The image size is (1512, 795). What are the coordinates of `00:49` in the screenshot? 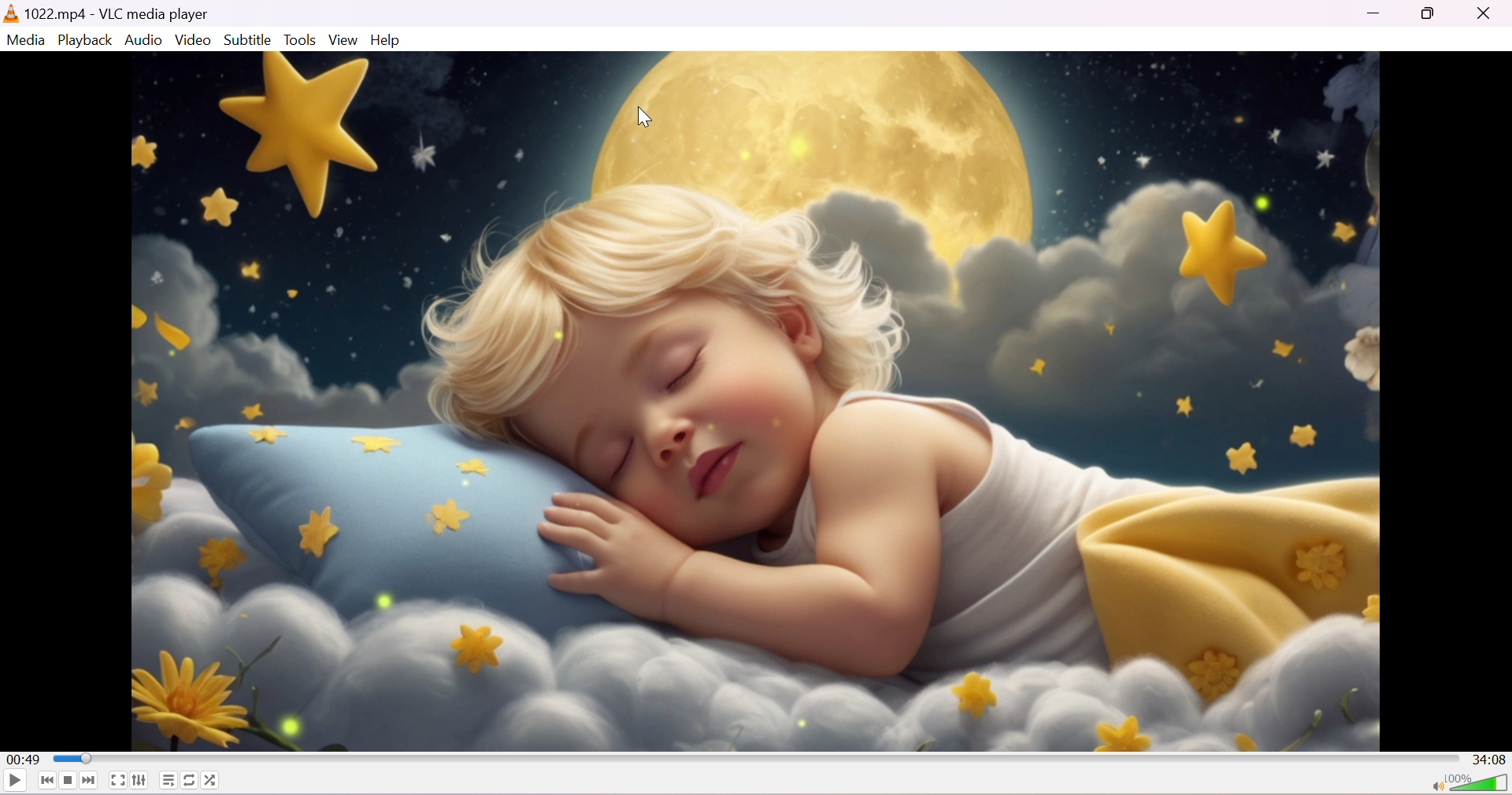 It's located at (24, 760).